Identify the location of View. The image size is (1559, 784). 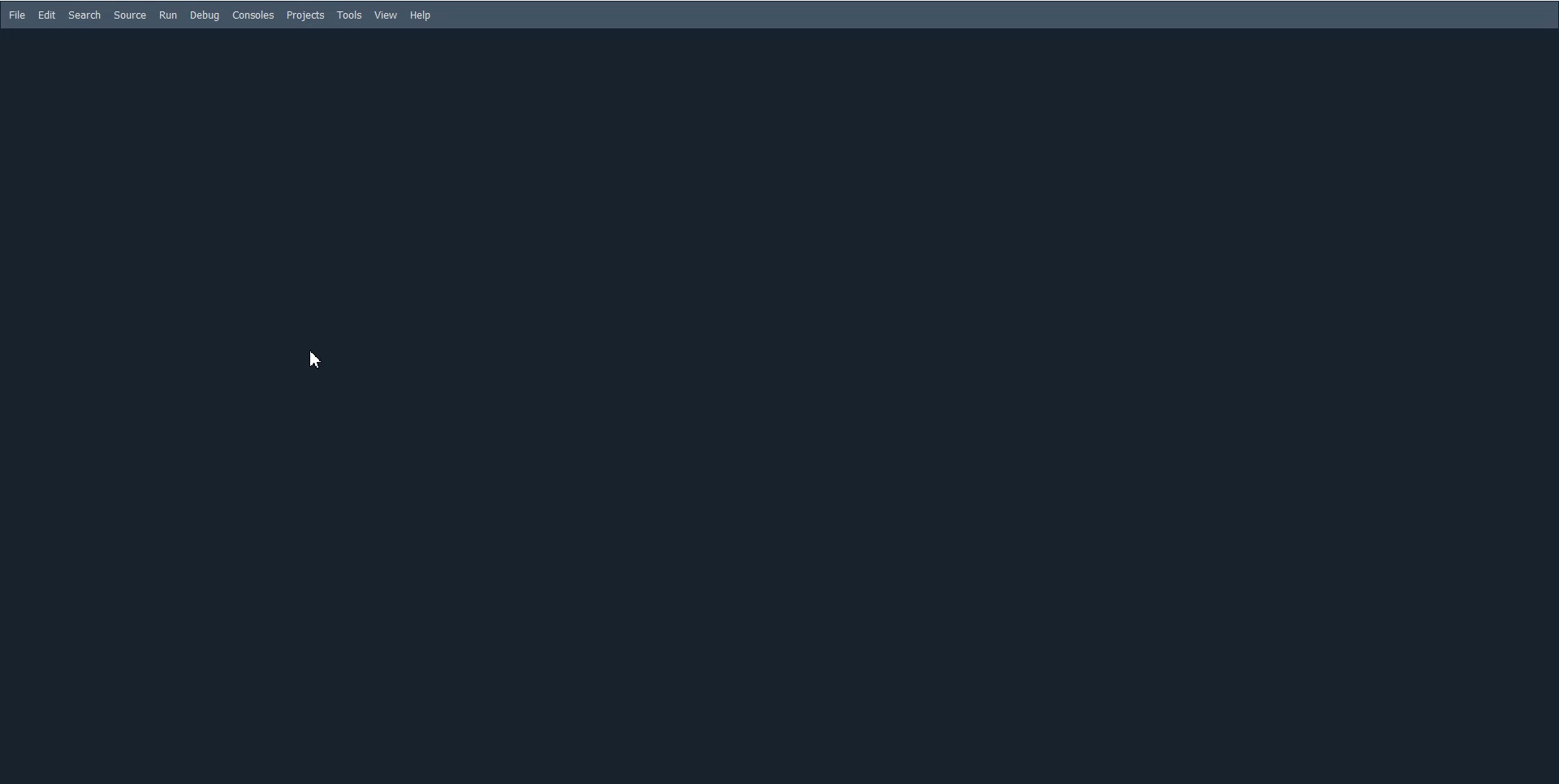
(387, 15).